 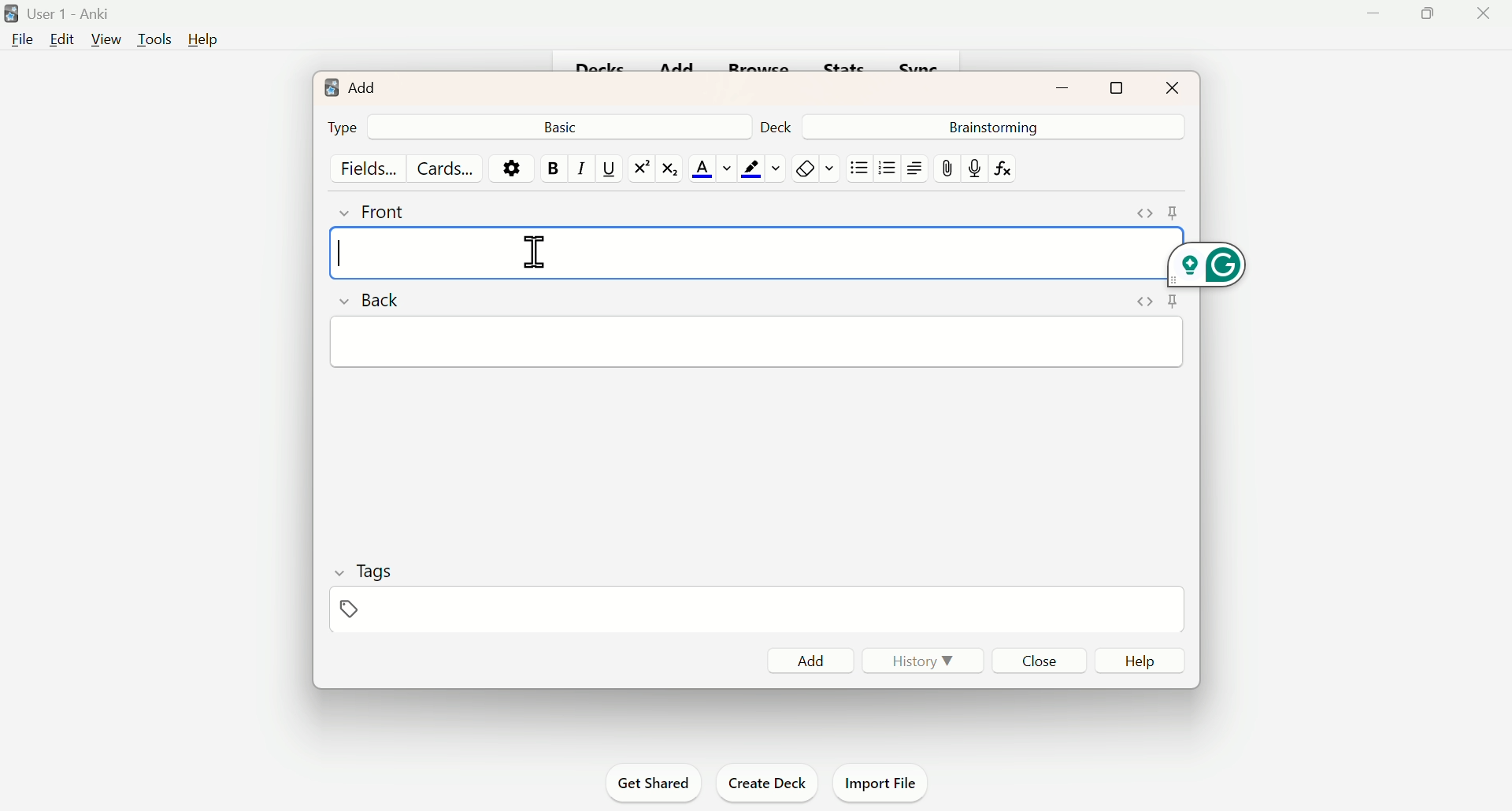 I want to click on Options, so click(x=511, y=167).